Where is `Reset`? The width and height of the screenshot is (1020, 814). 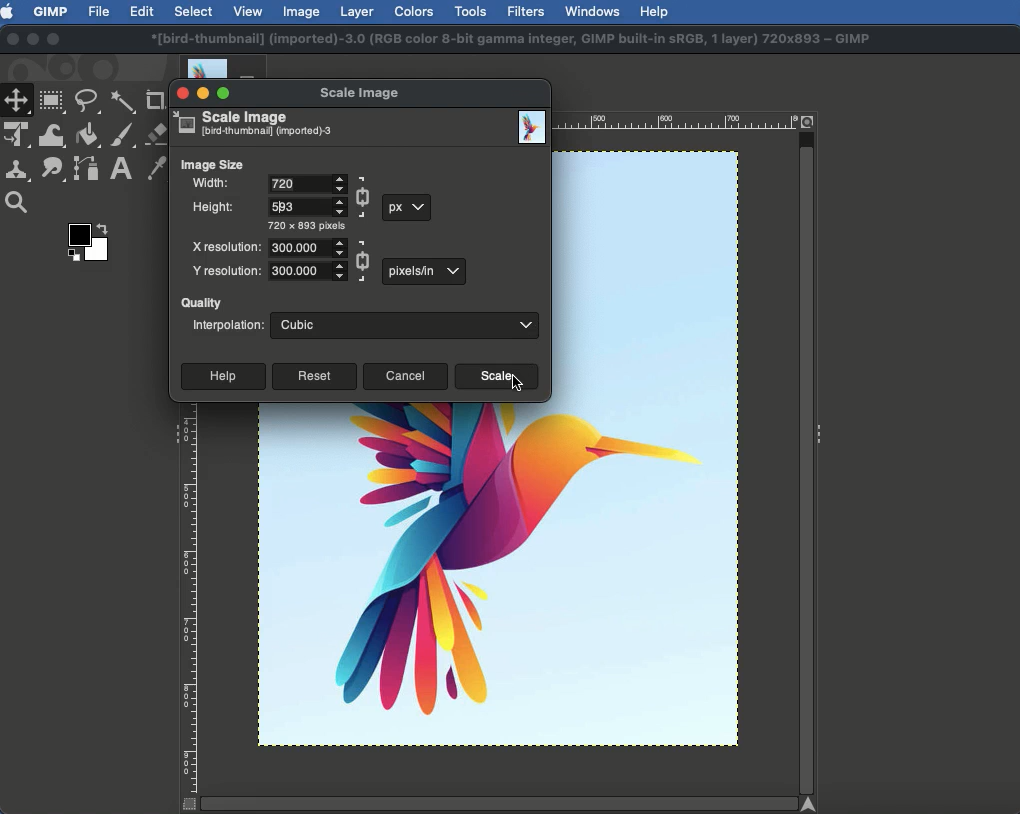
Reset is located at coordinates (313, 376).